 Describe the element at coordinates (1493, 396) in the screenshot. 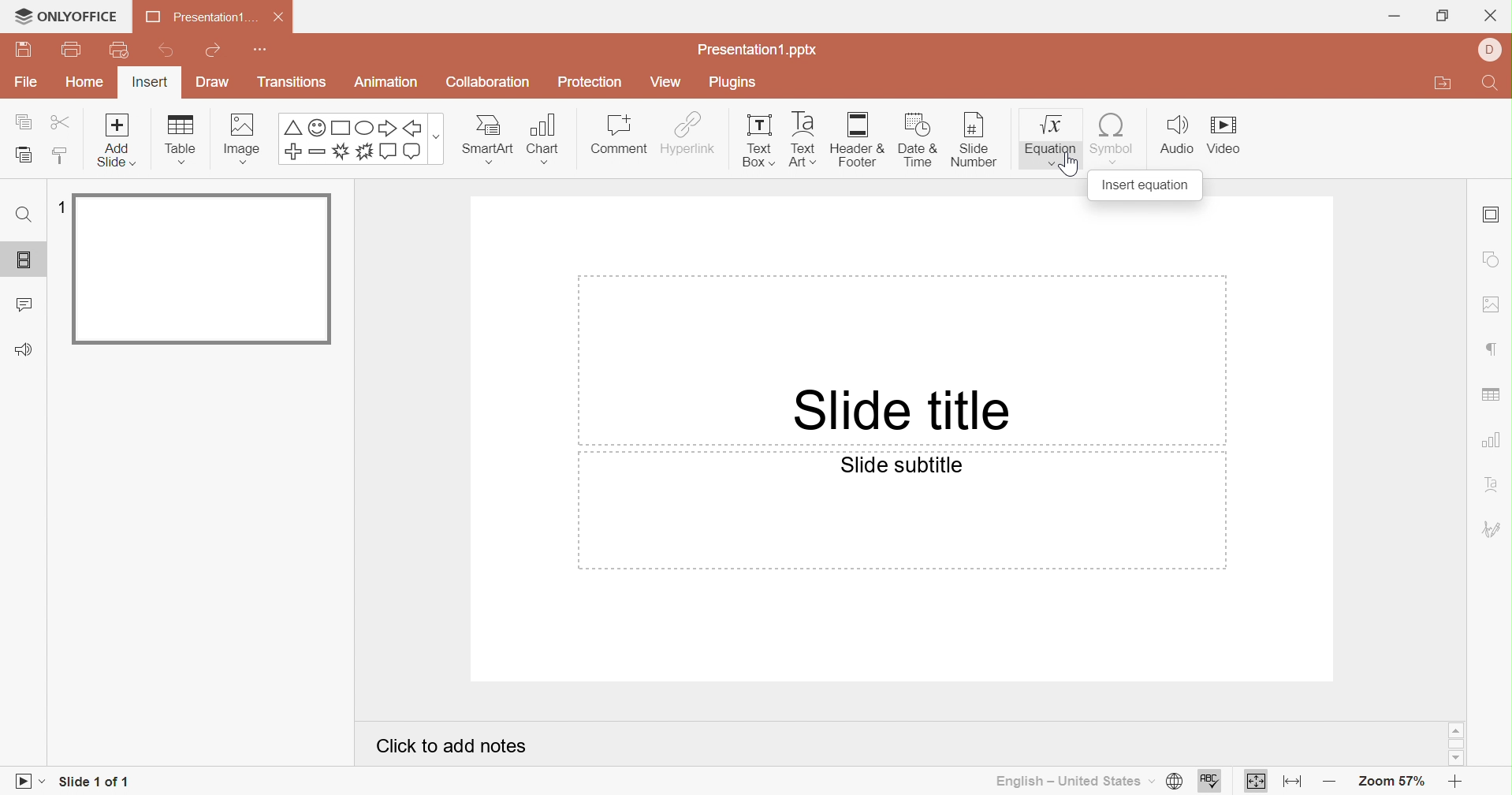

I see `table settings` at that location.